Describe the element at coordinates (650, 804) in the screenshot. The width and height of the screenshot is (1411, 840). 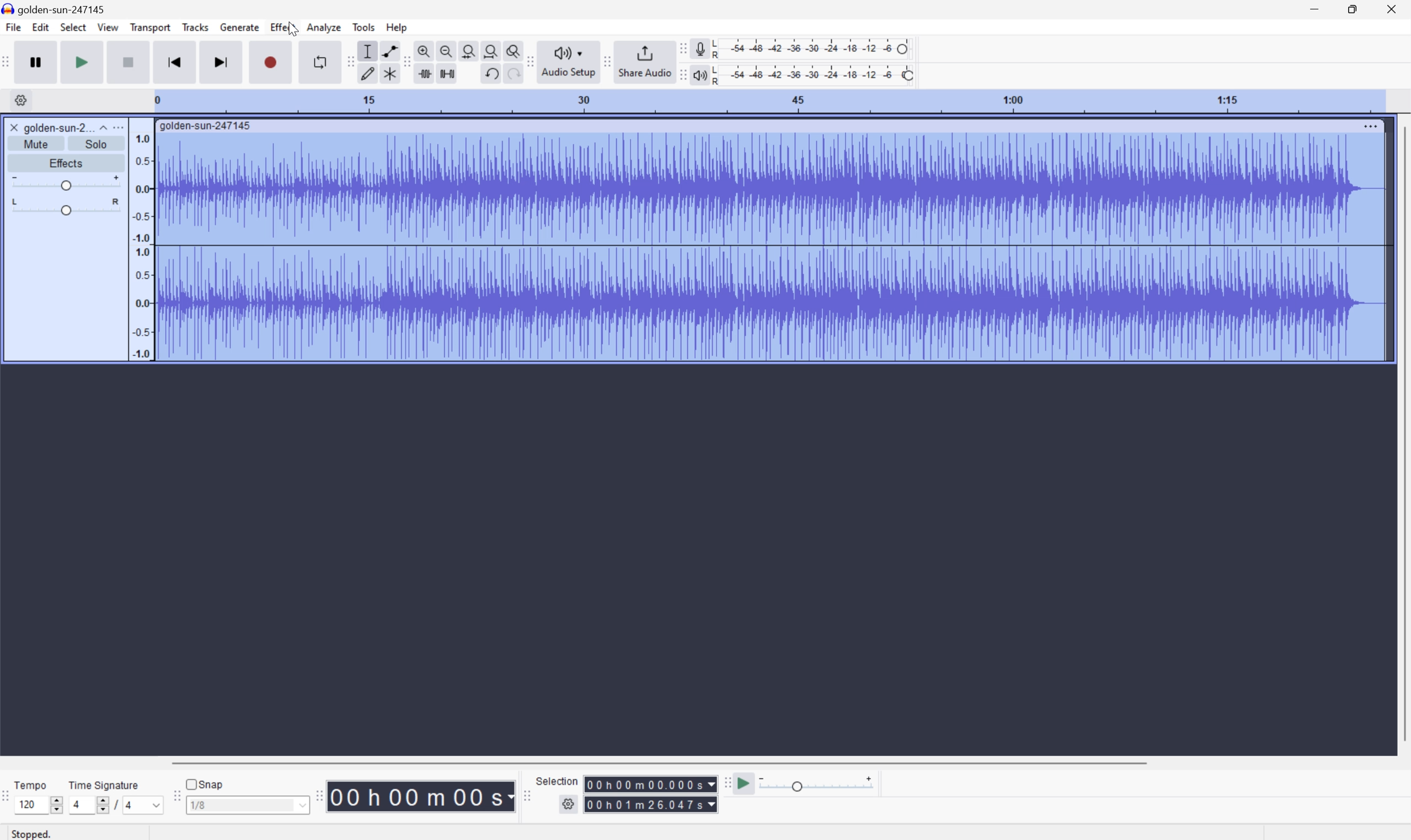
I see `Selection` at that location.